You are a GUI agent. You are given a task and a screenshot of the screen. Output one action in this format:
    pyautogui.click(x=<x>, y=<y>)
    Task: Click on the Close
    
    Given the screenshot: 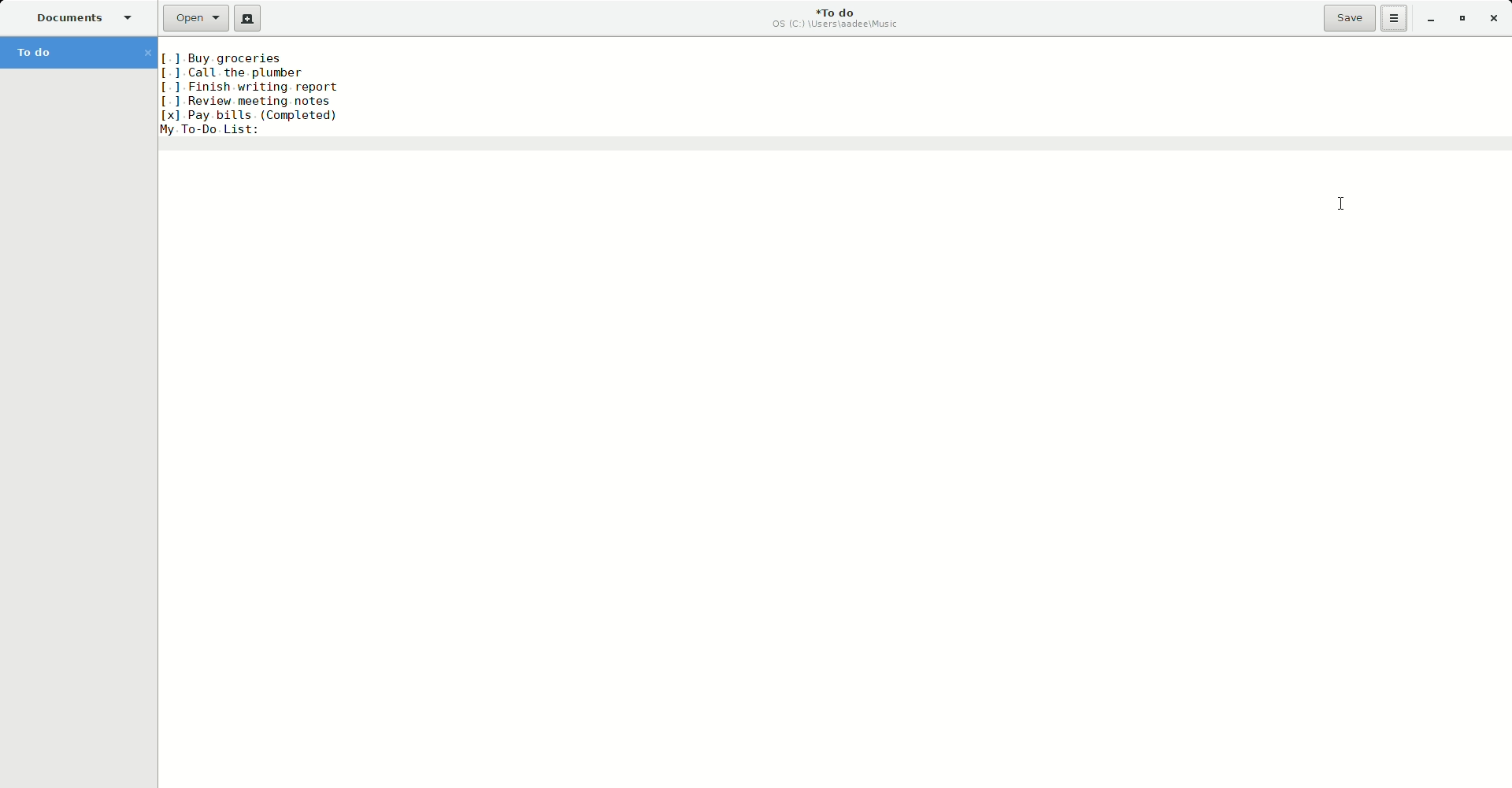 What is the action you would take?
    pyautogui.click(x=1494, y=20)
    